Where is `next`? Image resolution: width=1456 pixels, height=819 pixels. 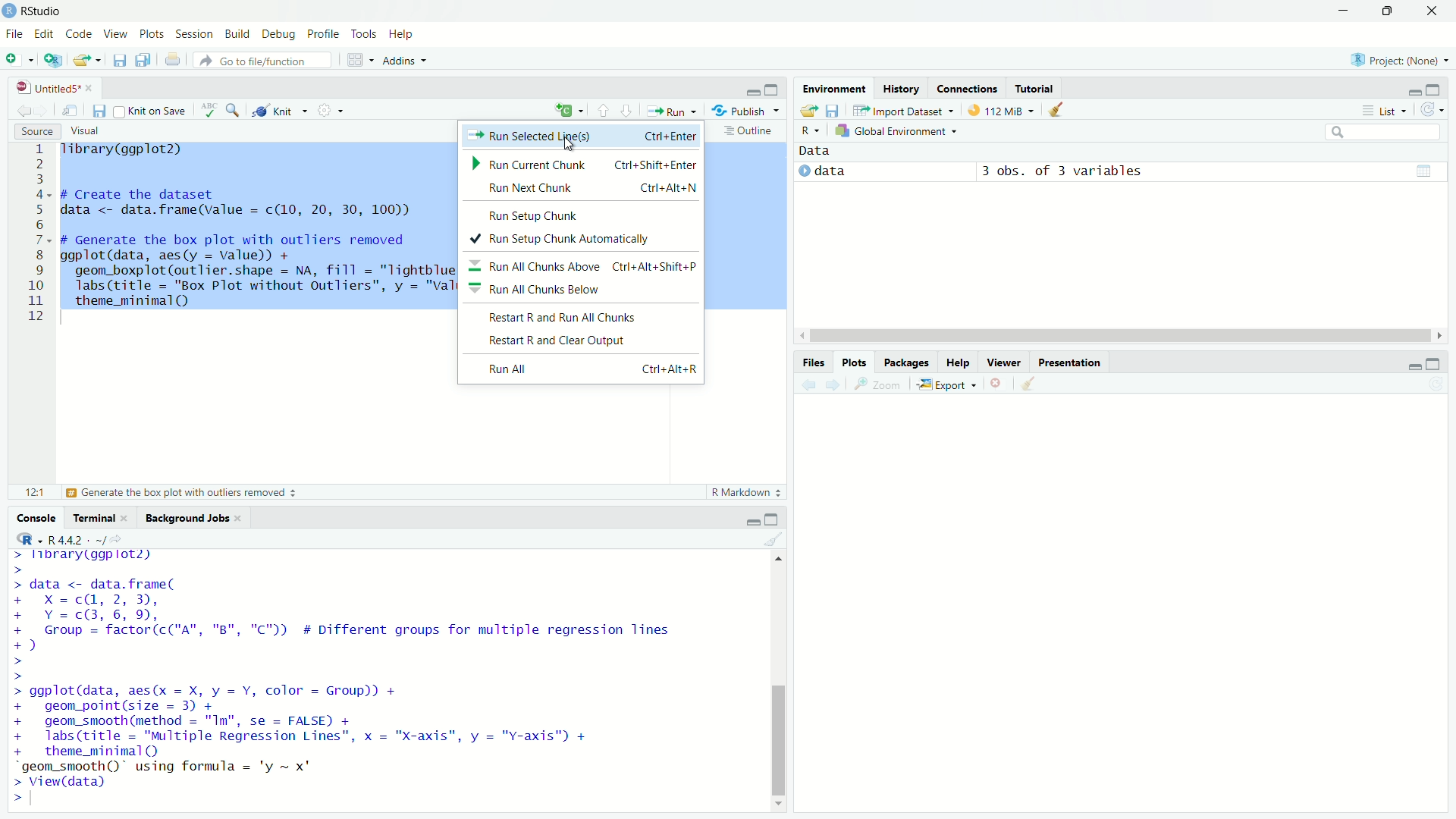
next is located at coordinates (839, 388).